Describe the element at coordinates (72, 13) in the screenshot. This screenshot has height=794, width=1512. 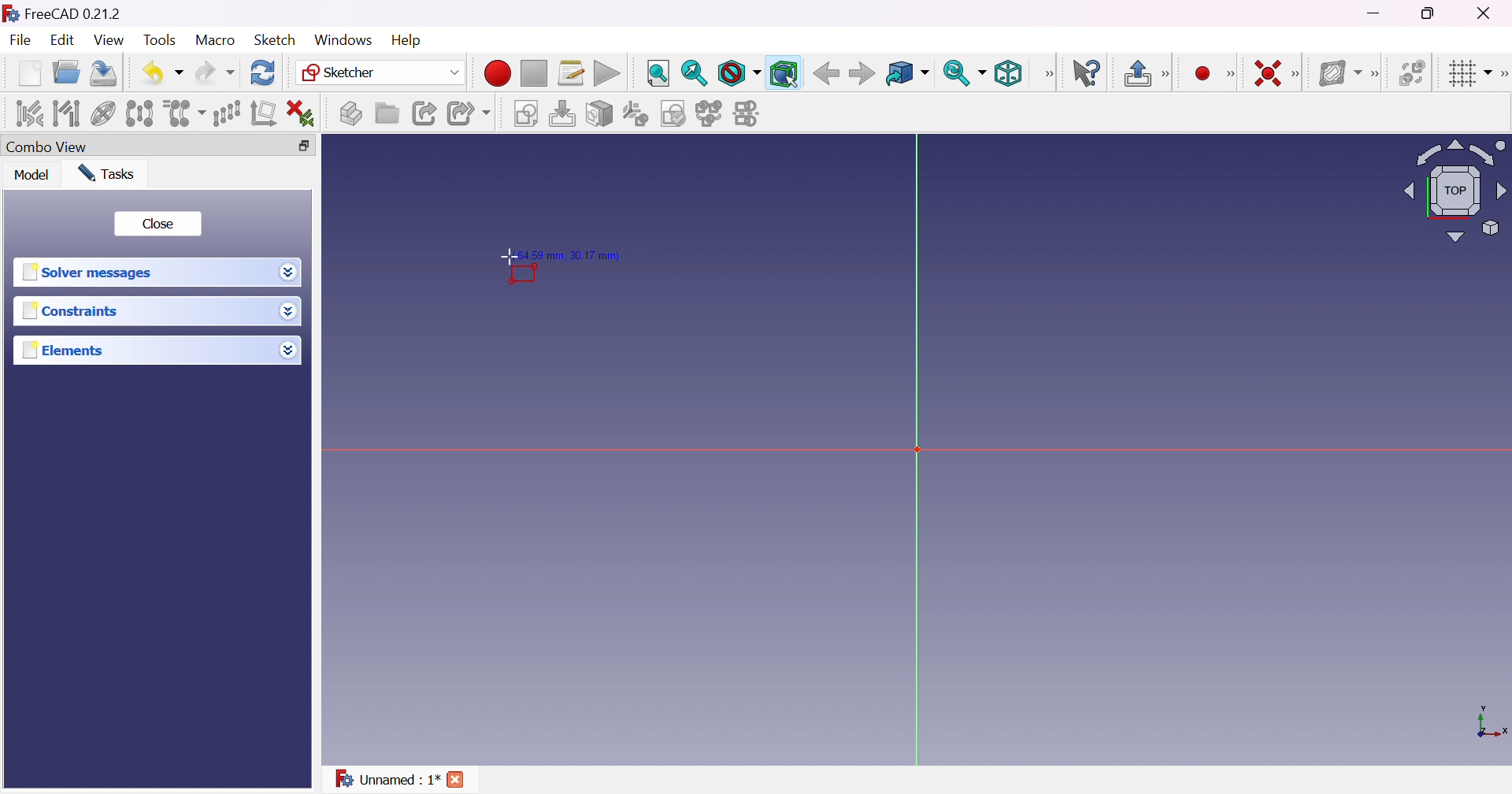
I see `FreeCAD 0.21.2` at that location.